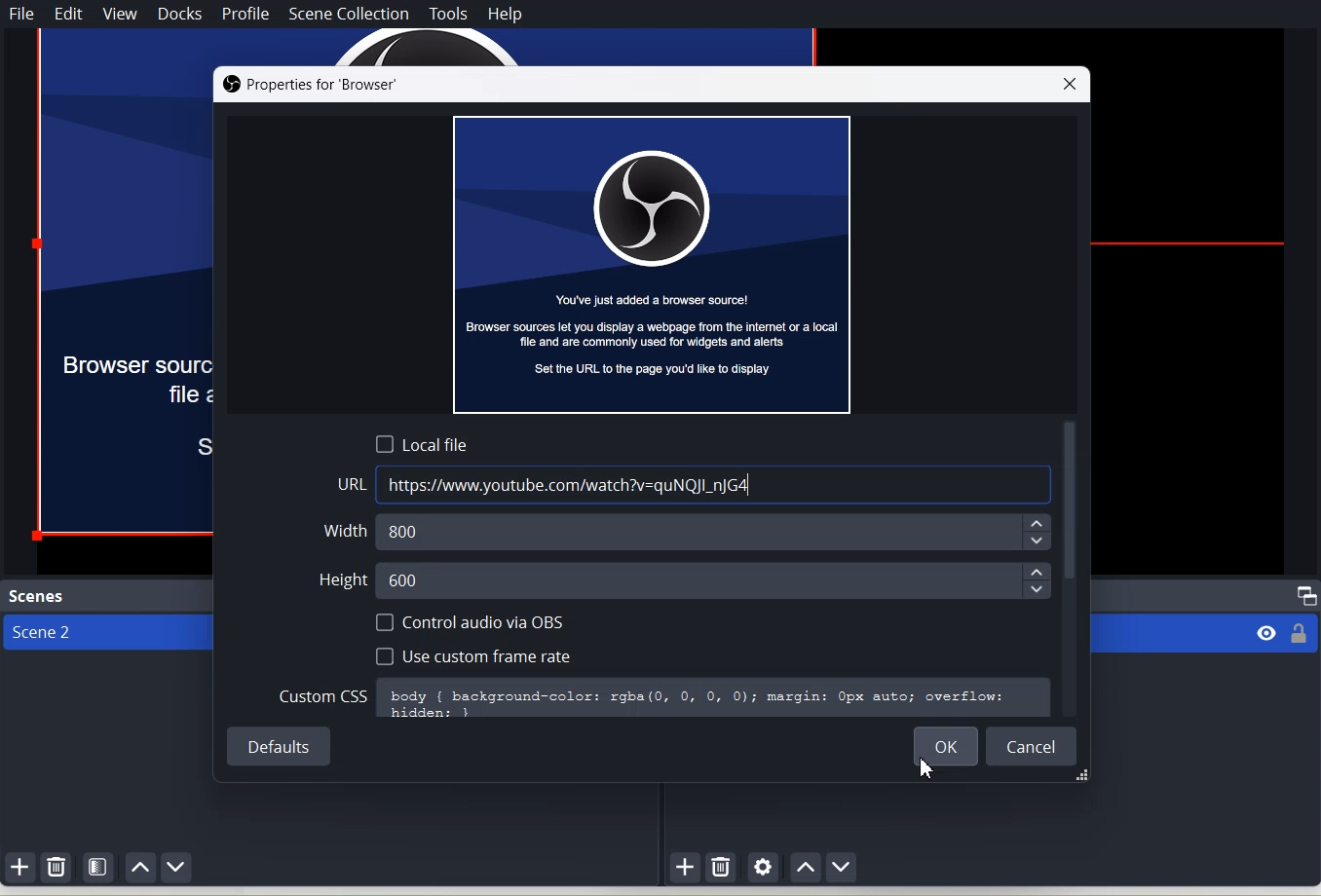 The height and width of the screenshot is (896, 1321). What do you see at coordinates (142, 867) in the screenshot?
I see `Move scene up` at bounding box center [142, 867].